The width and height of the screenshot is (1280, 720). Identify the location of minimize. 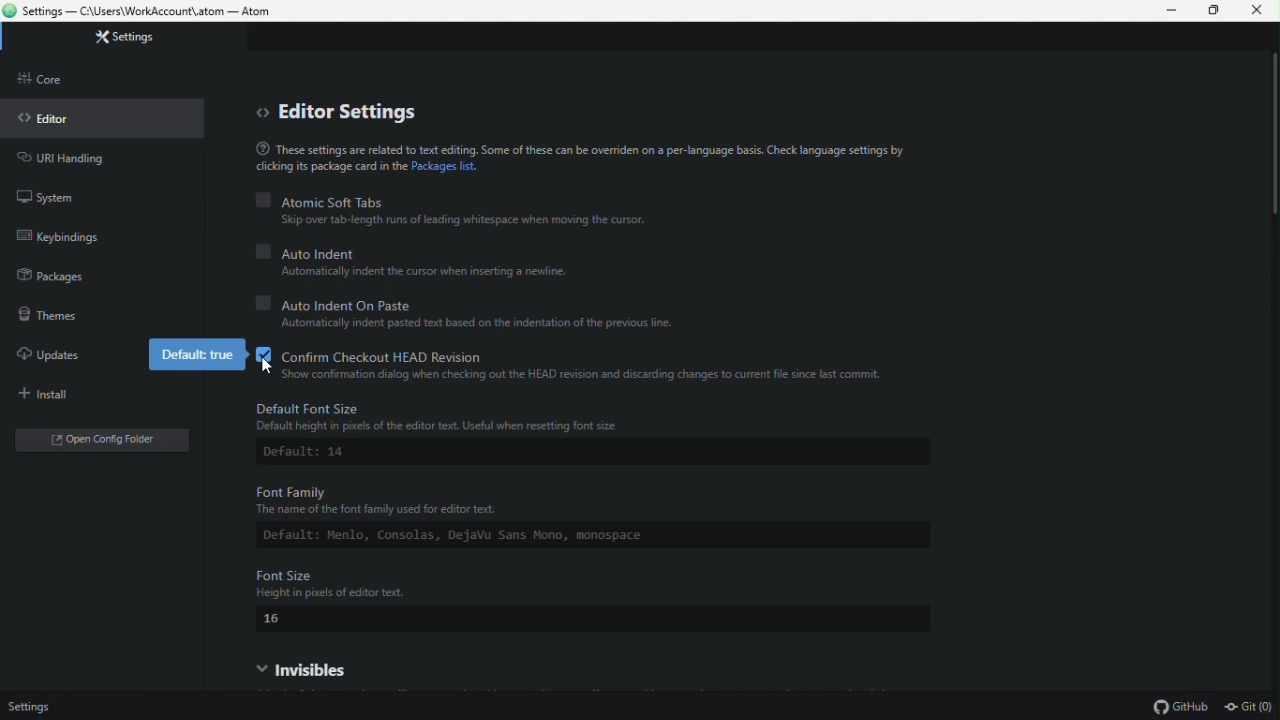
(1164, 12).